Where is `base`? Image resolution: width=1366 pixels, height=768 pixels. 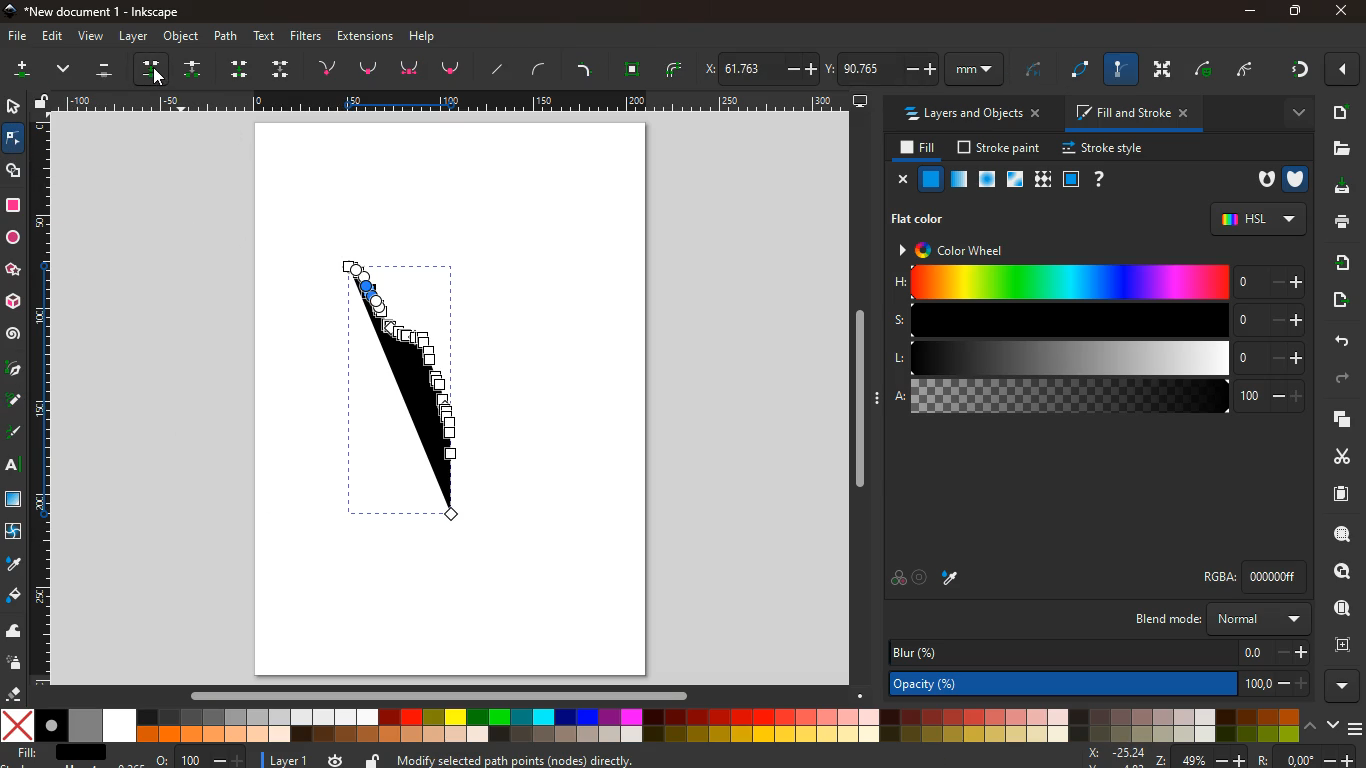
base is located at coordinates (412, 69).